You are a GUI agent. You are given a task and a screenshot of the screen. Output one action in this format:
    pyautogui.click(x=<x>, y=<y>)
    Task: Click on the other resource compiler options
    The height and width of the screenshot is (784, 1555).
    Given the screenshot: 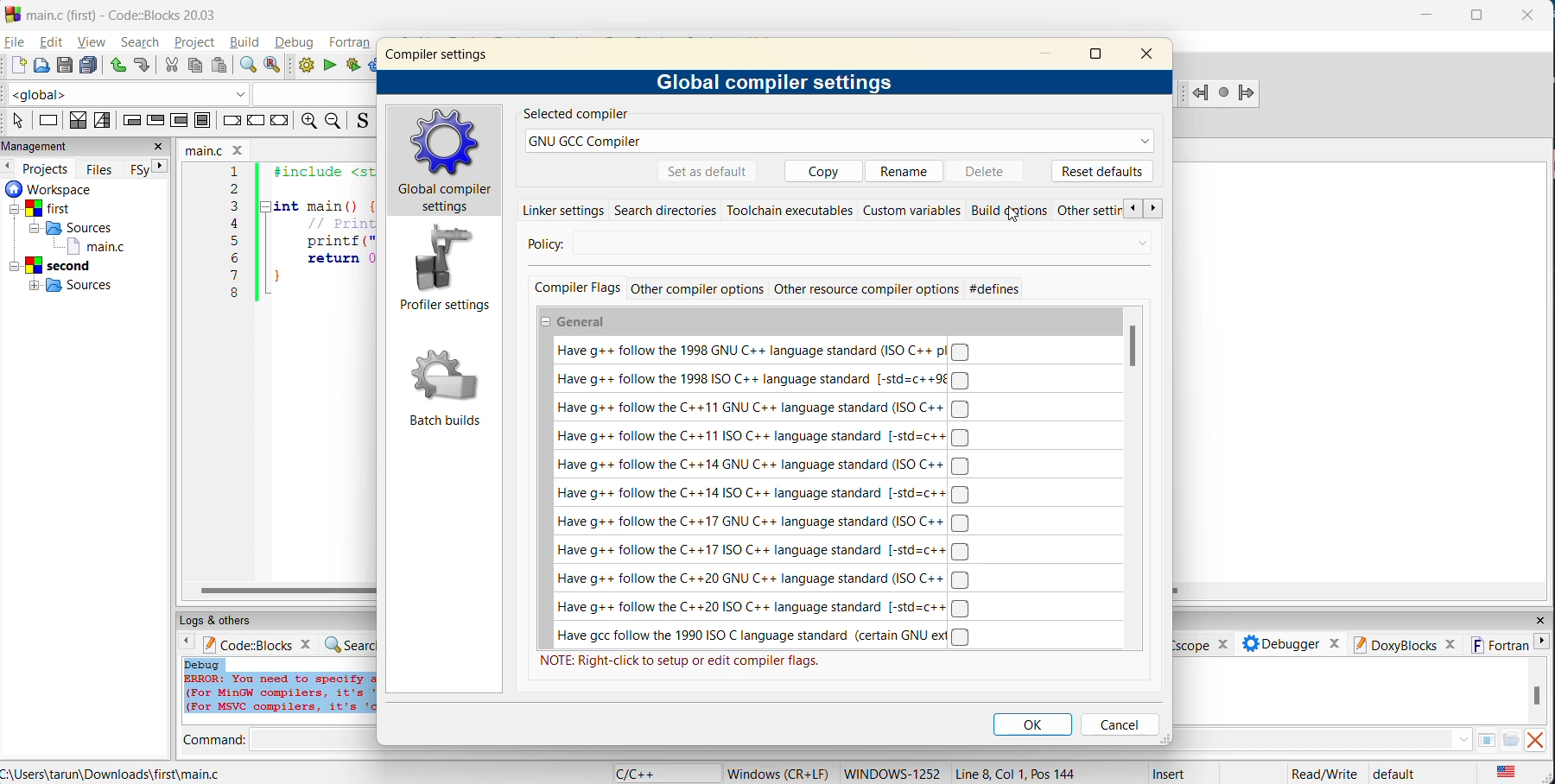 What is the action you would take?
    pyautogui.click(x=866, y=288)
    